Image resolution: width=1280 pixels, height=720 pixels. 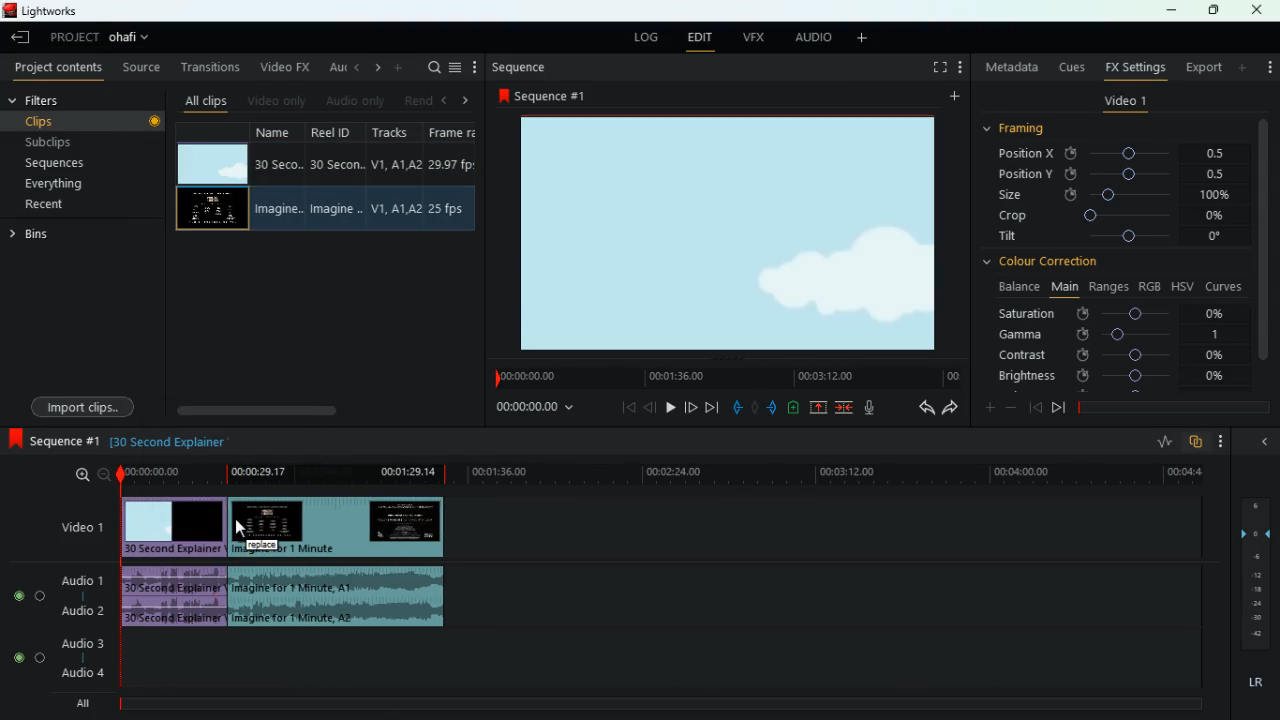 What do you see at coordinates (282, 68) in the screenshot?
I see `video fx` at bounding box center [282, 68].